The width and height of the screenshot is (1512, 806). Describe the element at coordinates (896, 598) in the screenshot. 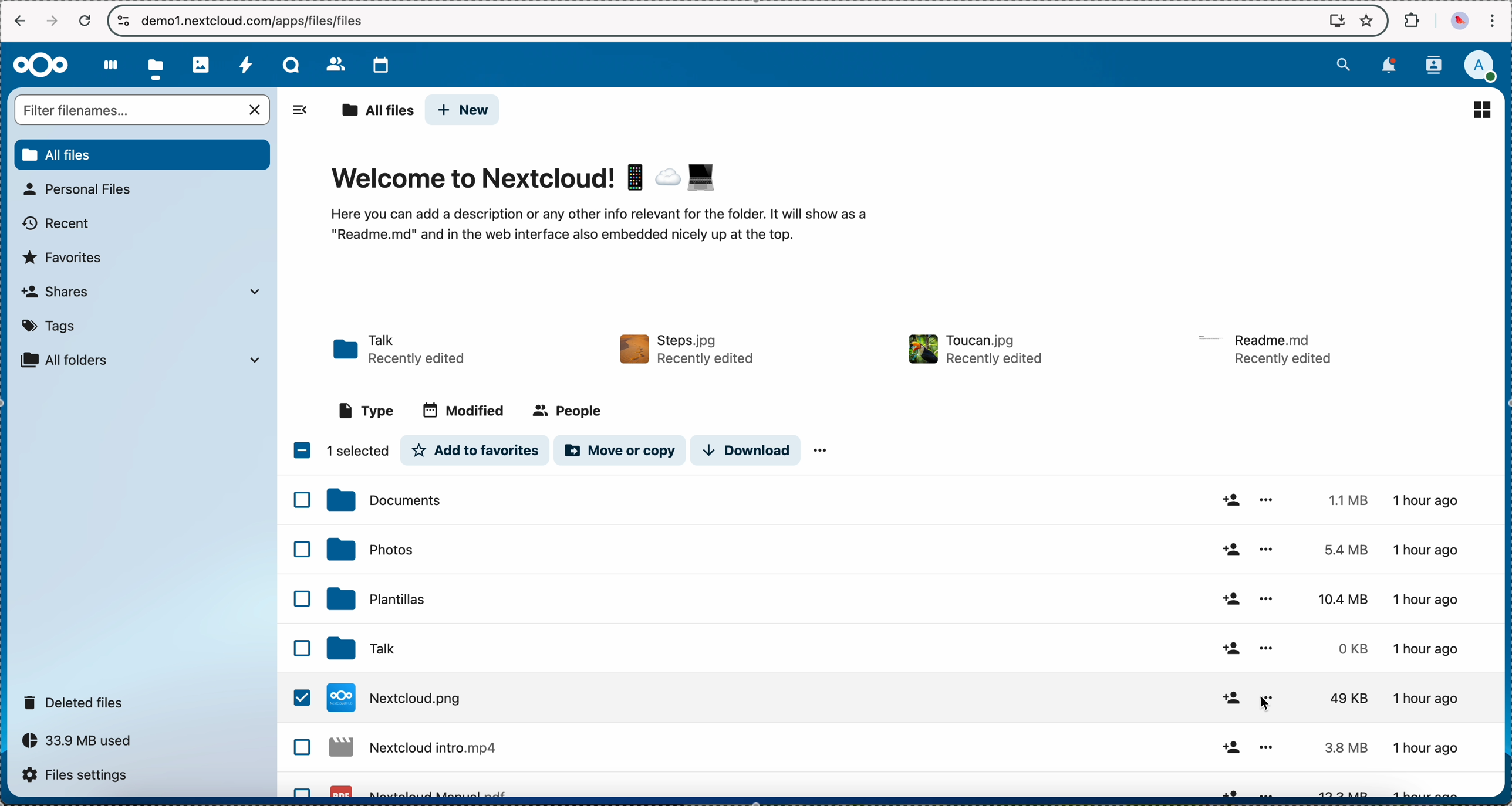

I see `templates` at that location.